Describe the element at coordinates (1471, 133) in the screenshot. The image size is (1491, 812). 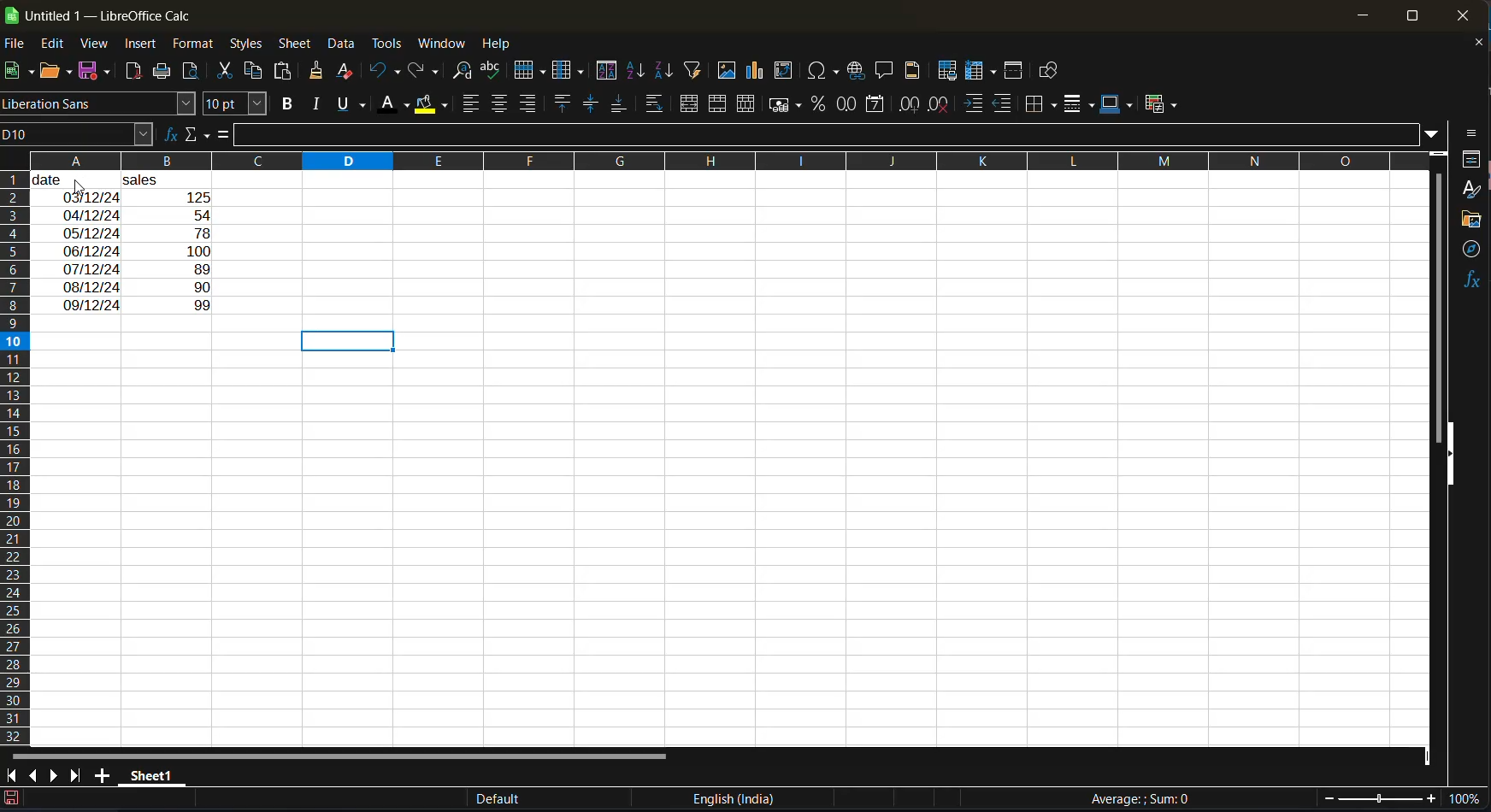
I see `side bar settings` at that location.